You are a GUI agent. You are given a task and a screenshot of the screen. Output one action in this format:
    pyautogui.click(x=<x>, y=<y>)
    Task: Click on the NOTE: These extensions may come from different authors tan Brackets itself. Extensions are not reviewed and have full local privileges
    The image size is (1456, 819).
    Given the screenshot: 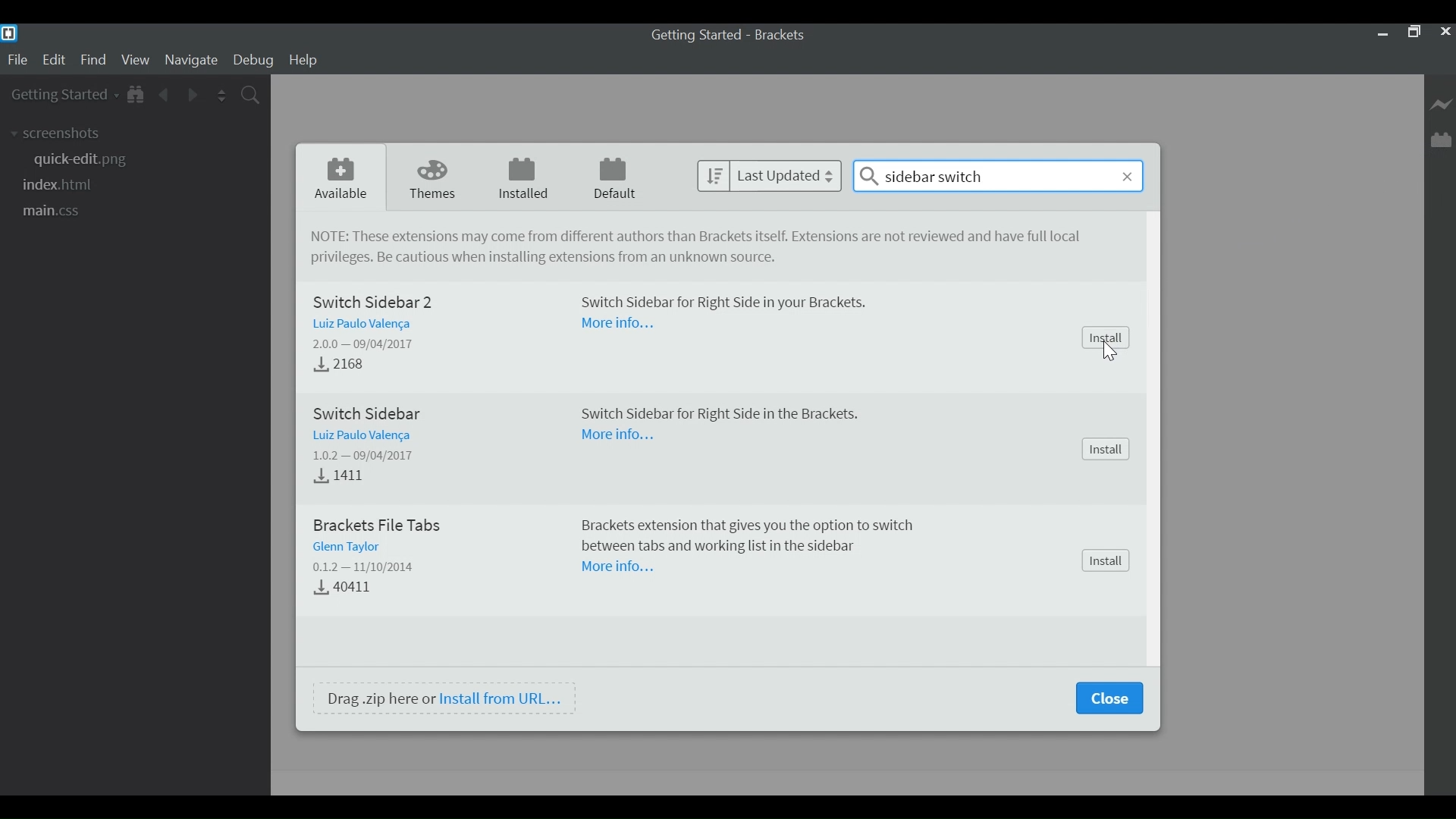 What is the action you would take?
    pyautogui.click(x=683, y=237)
    